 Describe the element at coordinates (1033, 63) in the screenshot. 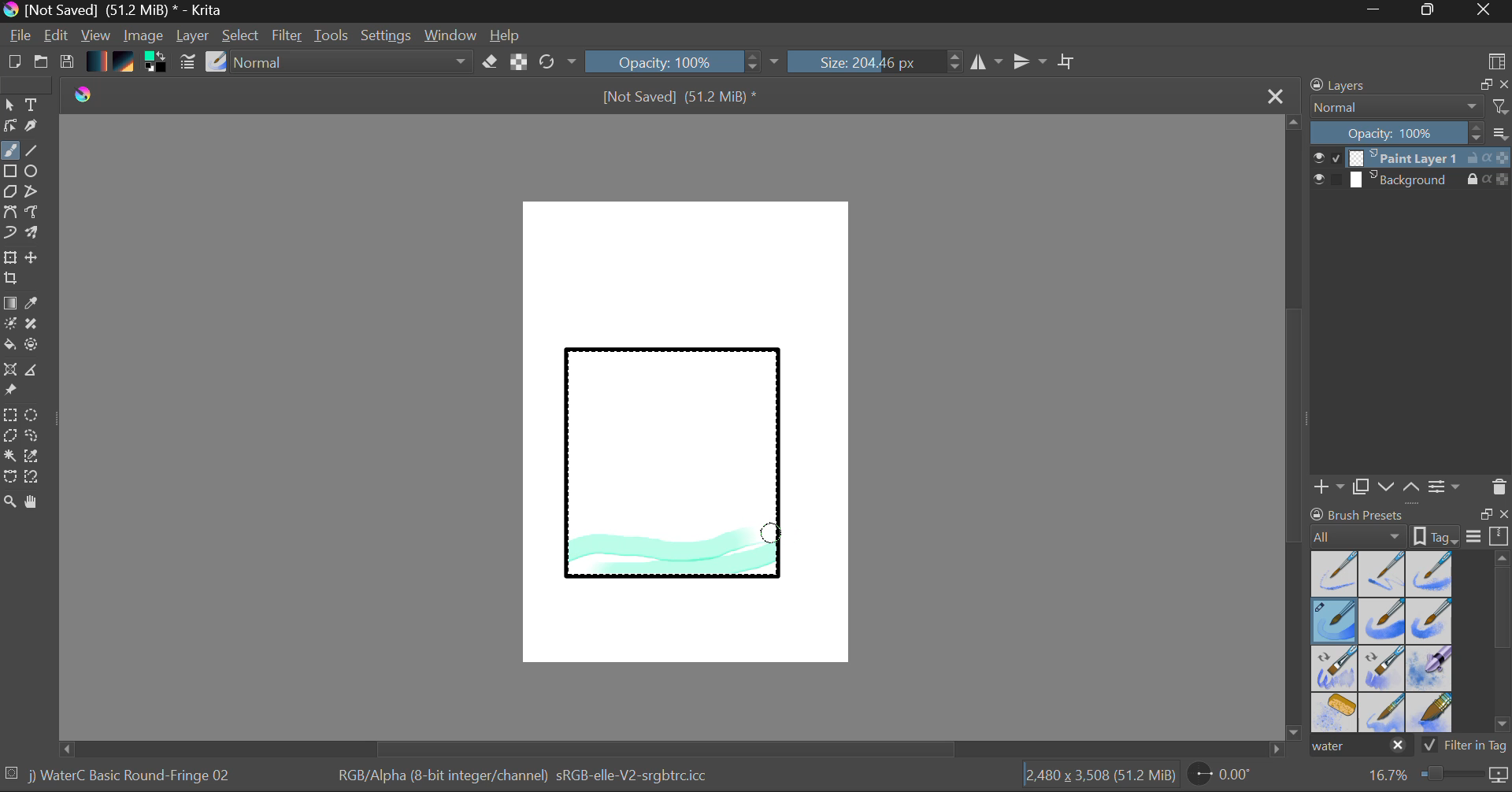

I see `Horizontal Mirror Flip` at that location.